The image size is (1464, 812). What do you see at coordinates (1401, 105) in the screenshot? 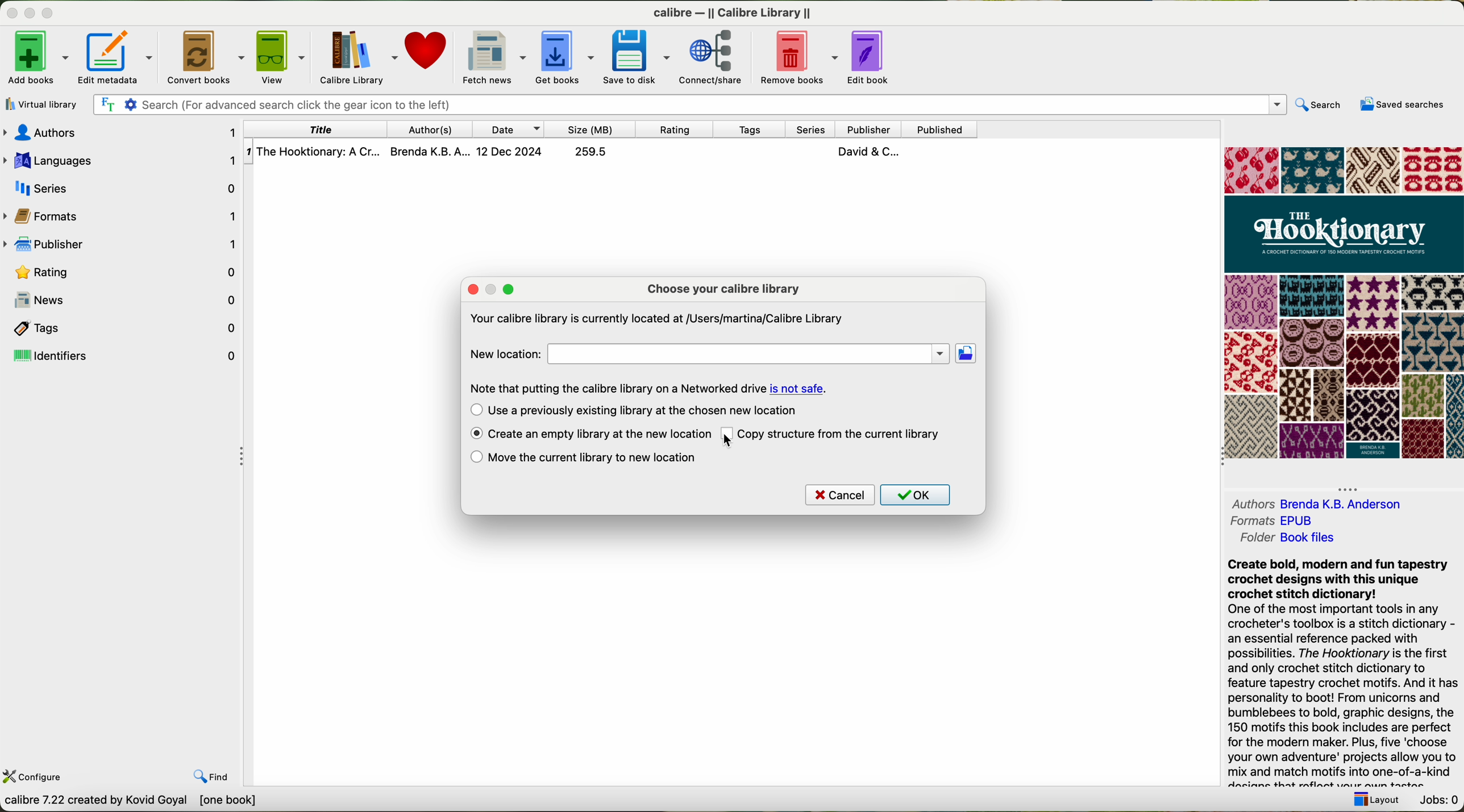
I see `saved searches` at bounding box center [1401, 105].